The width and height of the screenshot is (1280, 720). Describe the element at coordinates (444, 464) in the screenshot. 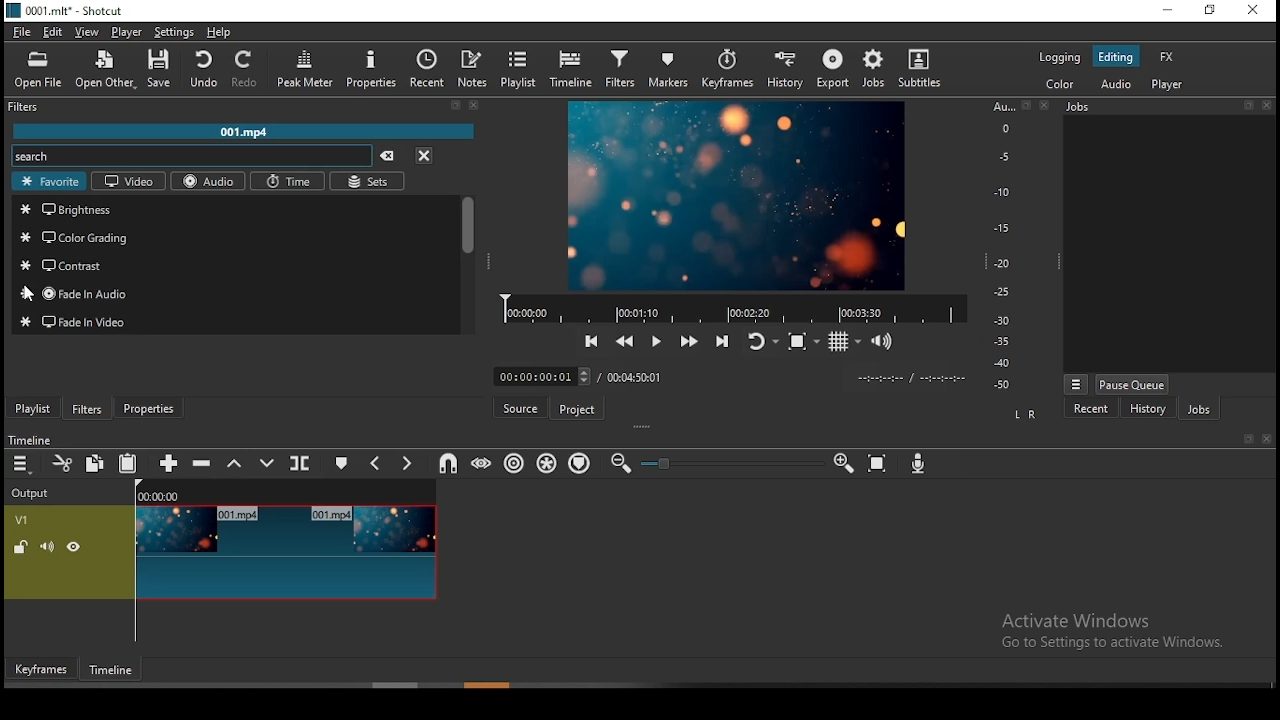

I see `snap` at that location.